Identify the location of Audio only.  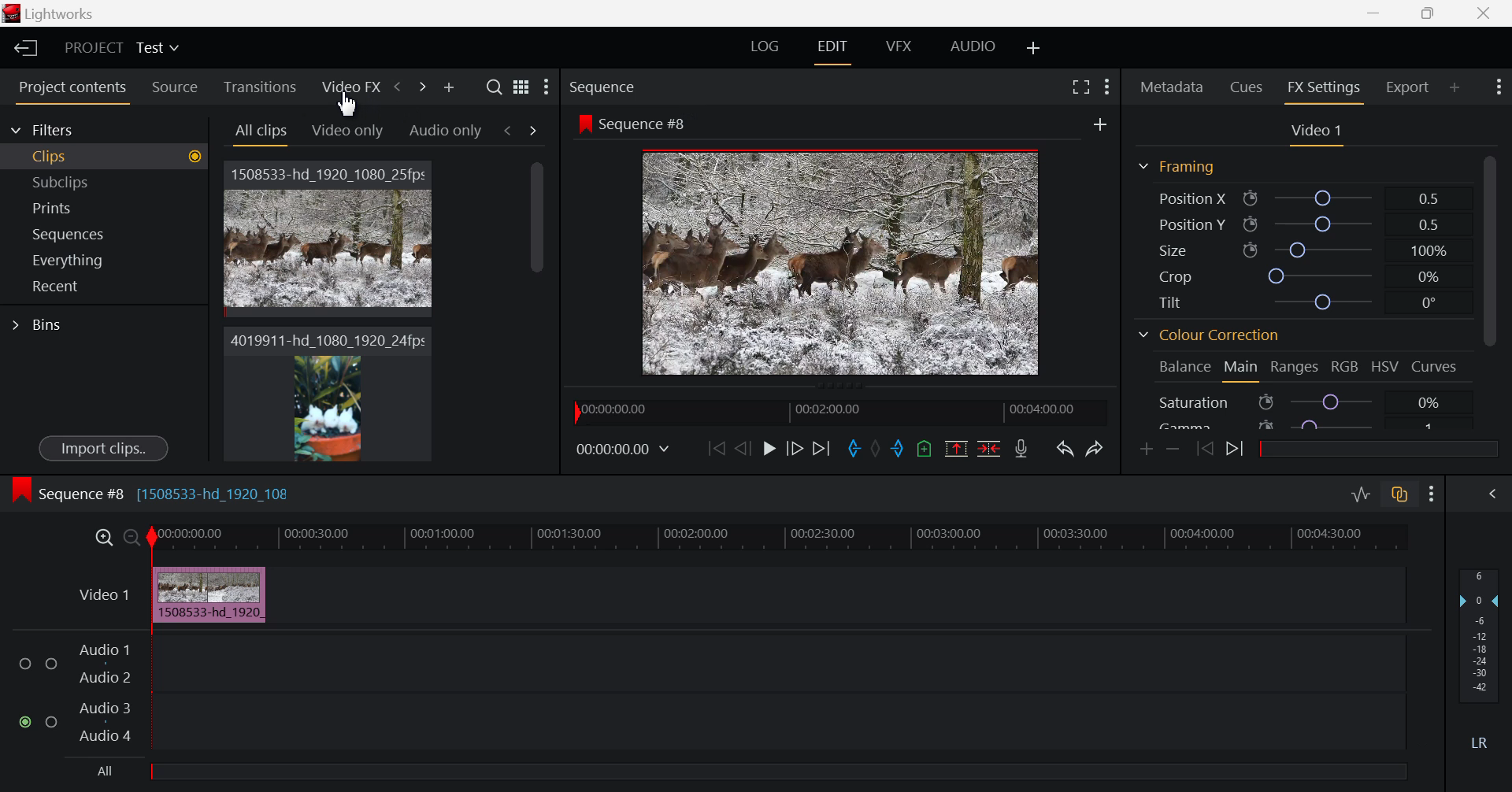
(445, 133).